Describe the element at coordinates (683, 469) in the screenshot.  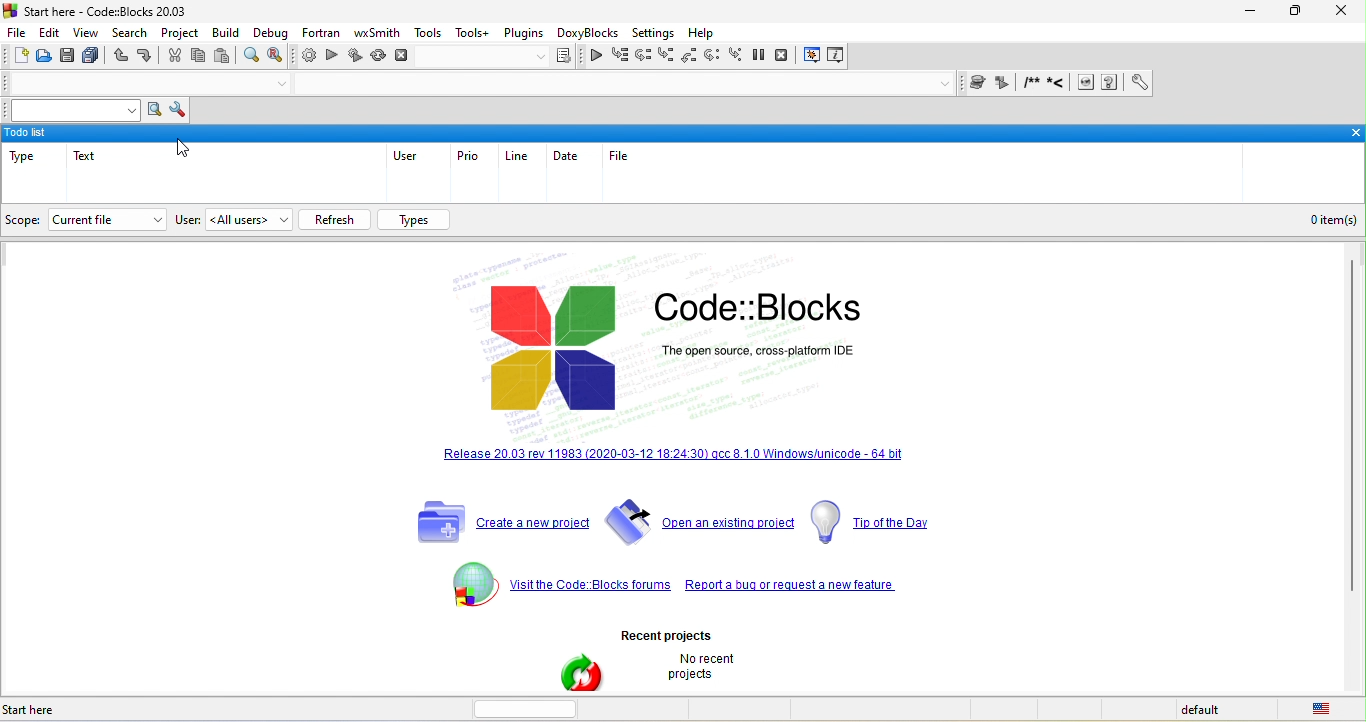
I see `visit the code ; blocks forums report a bug or request a new feature` at that location.